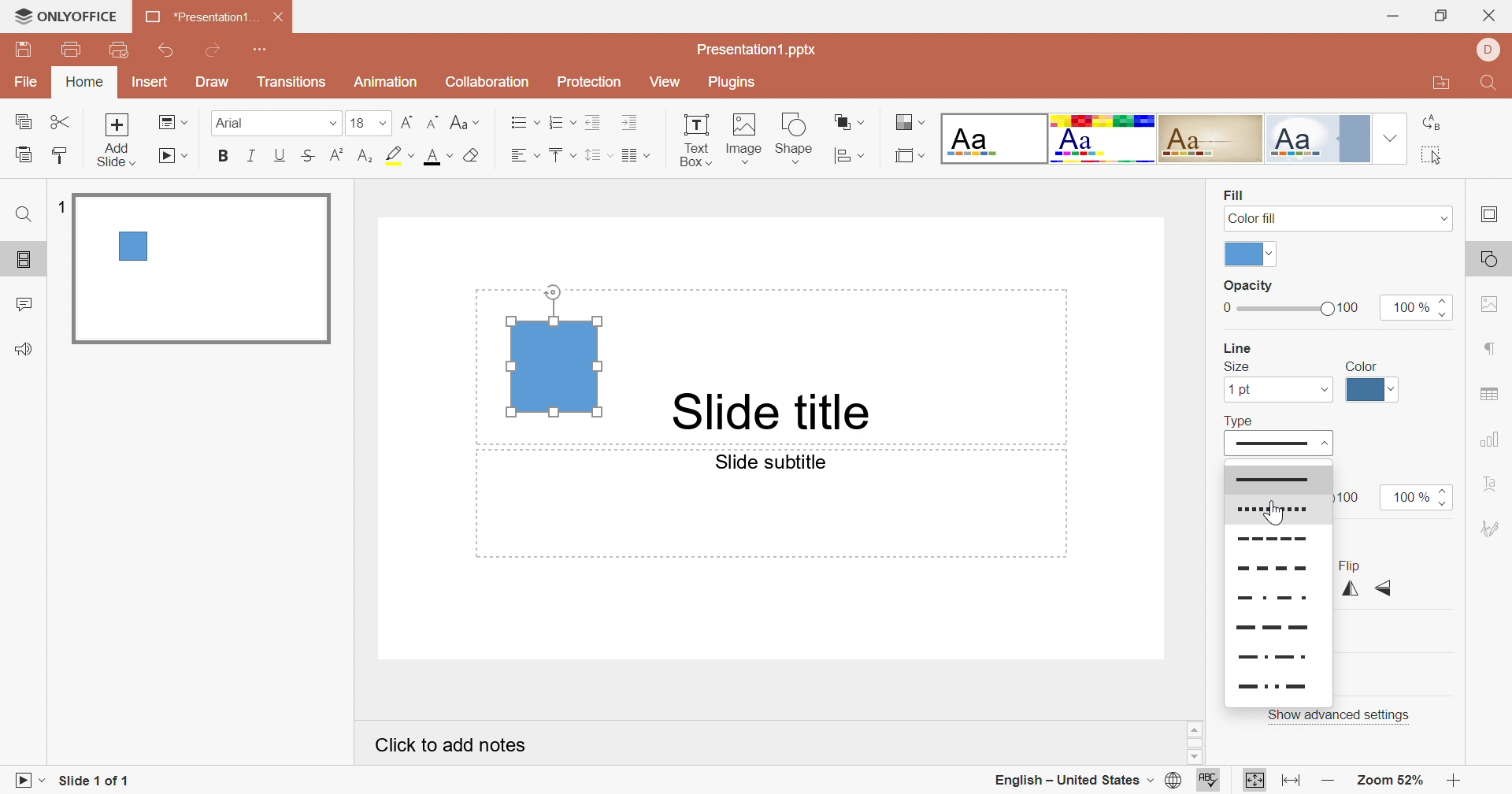 This screenshot has height=794, width=1512. Describe the element at coordinates (84, 83) in the screenshot. I see `Home` at that location.